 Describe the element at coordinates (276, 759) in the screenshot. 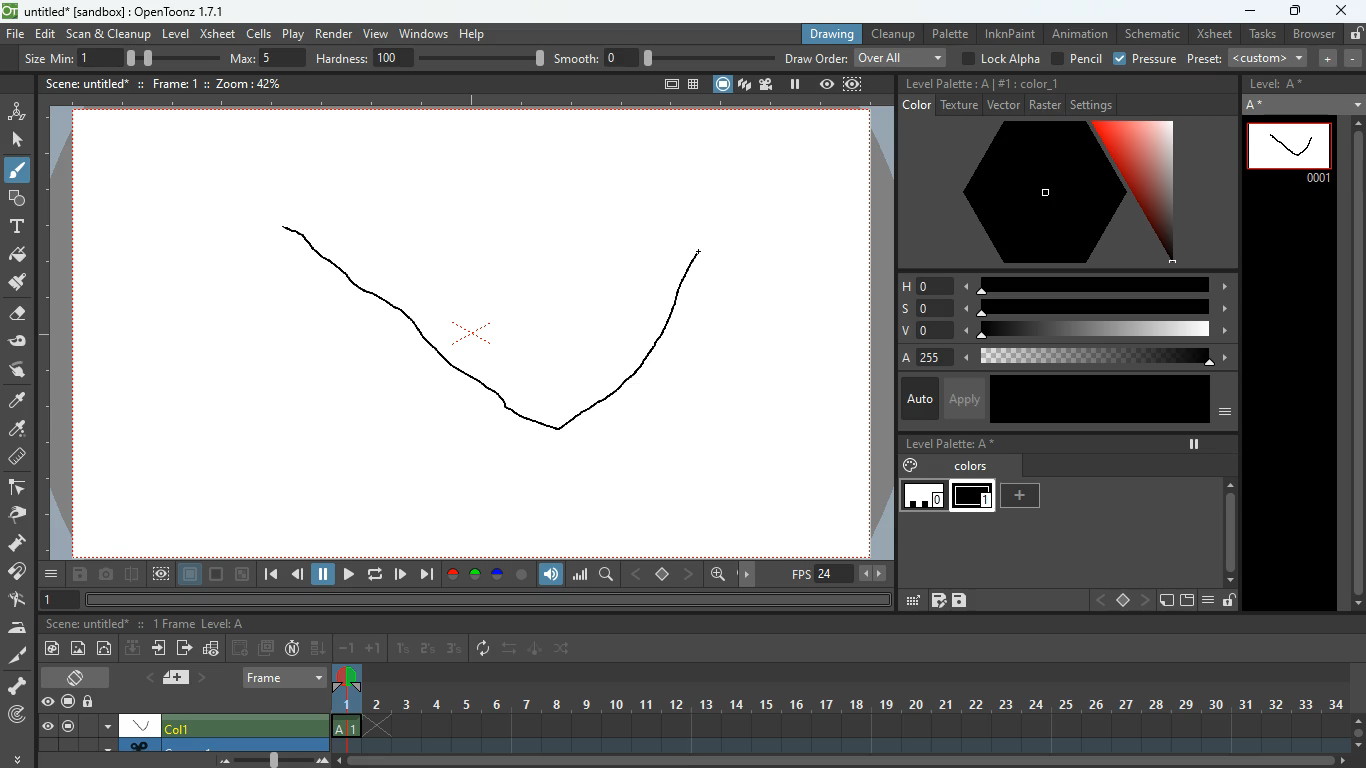

I see `image` at that location.